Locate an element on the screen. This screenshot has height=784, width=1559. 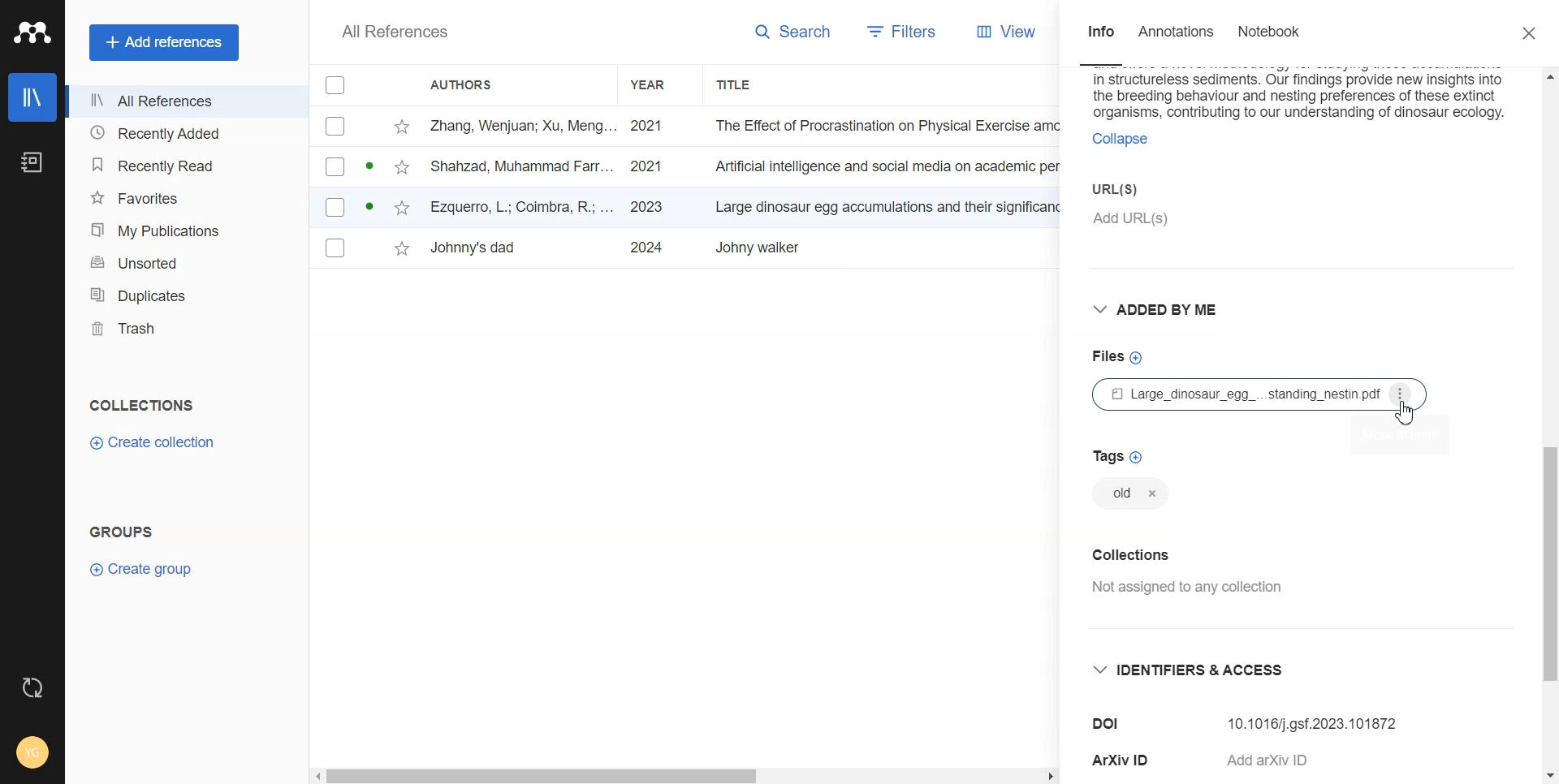
Authors is located at coordinates (470, 82).